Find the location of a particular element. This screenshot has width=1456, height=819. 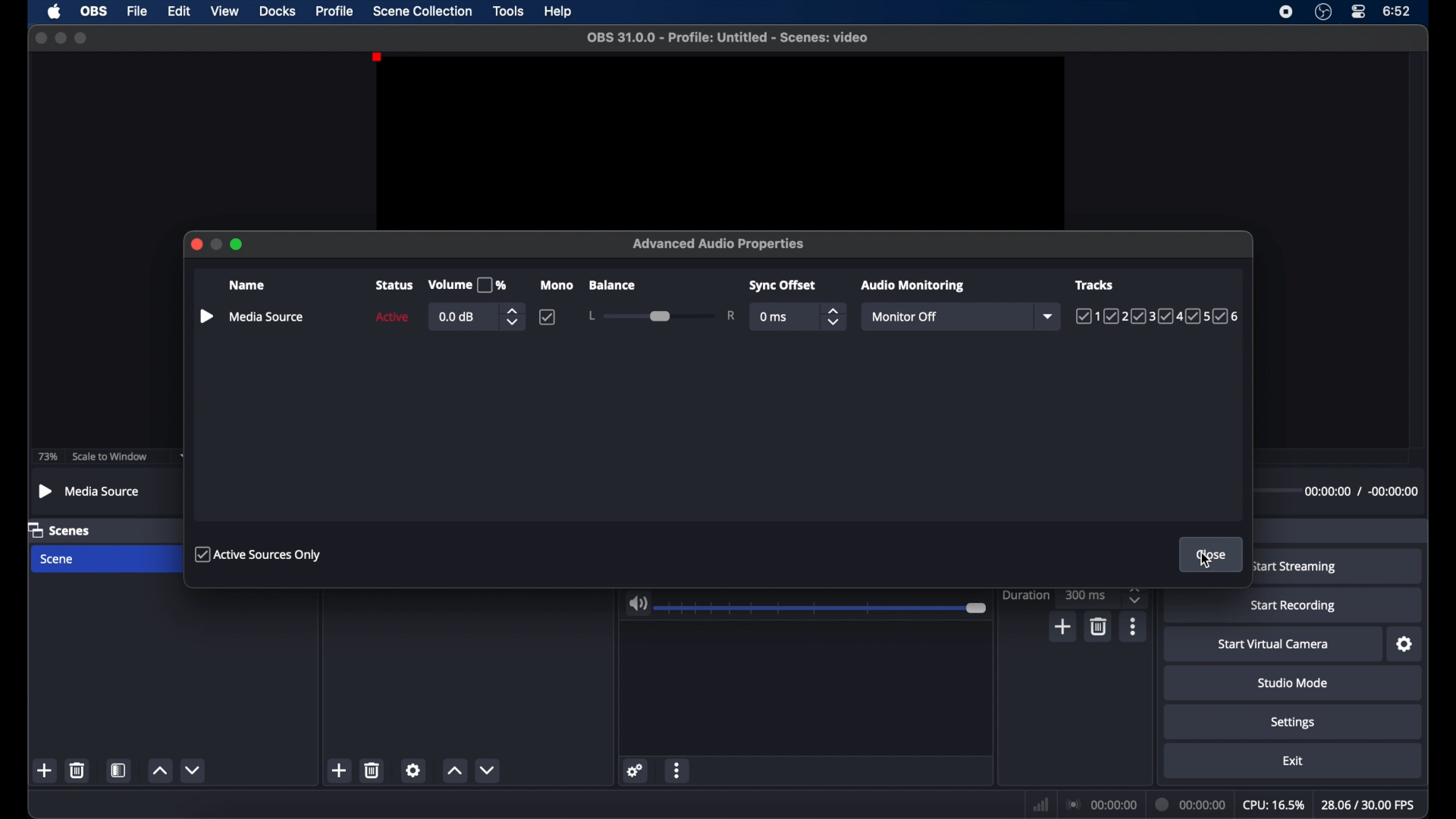

fps is located at coordinates (1368, 805).